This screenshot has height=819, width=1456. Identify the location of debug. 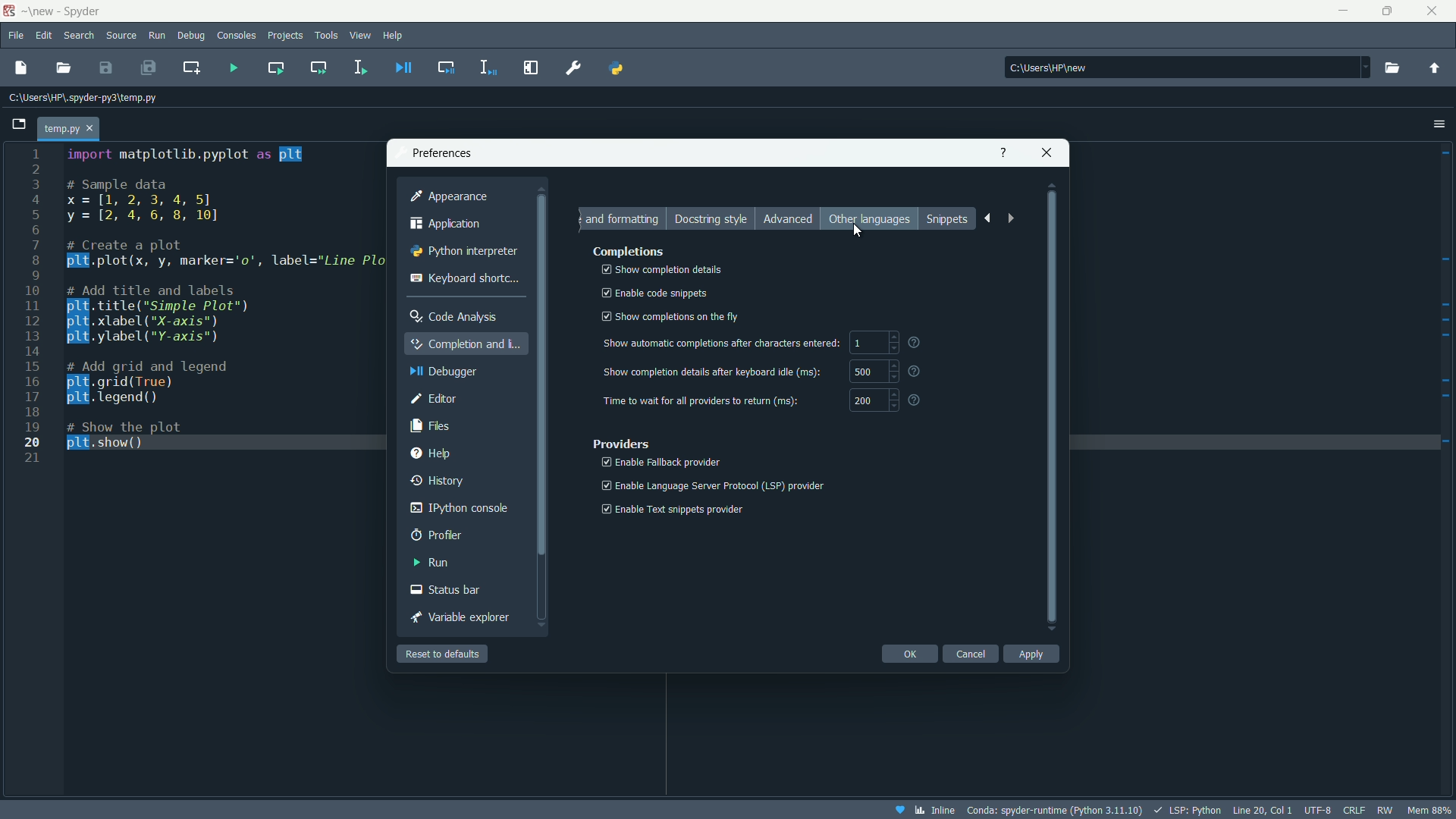
(190, 36).